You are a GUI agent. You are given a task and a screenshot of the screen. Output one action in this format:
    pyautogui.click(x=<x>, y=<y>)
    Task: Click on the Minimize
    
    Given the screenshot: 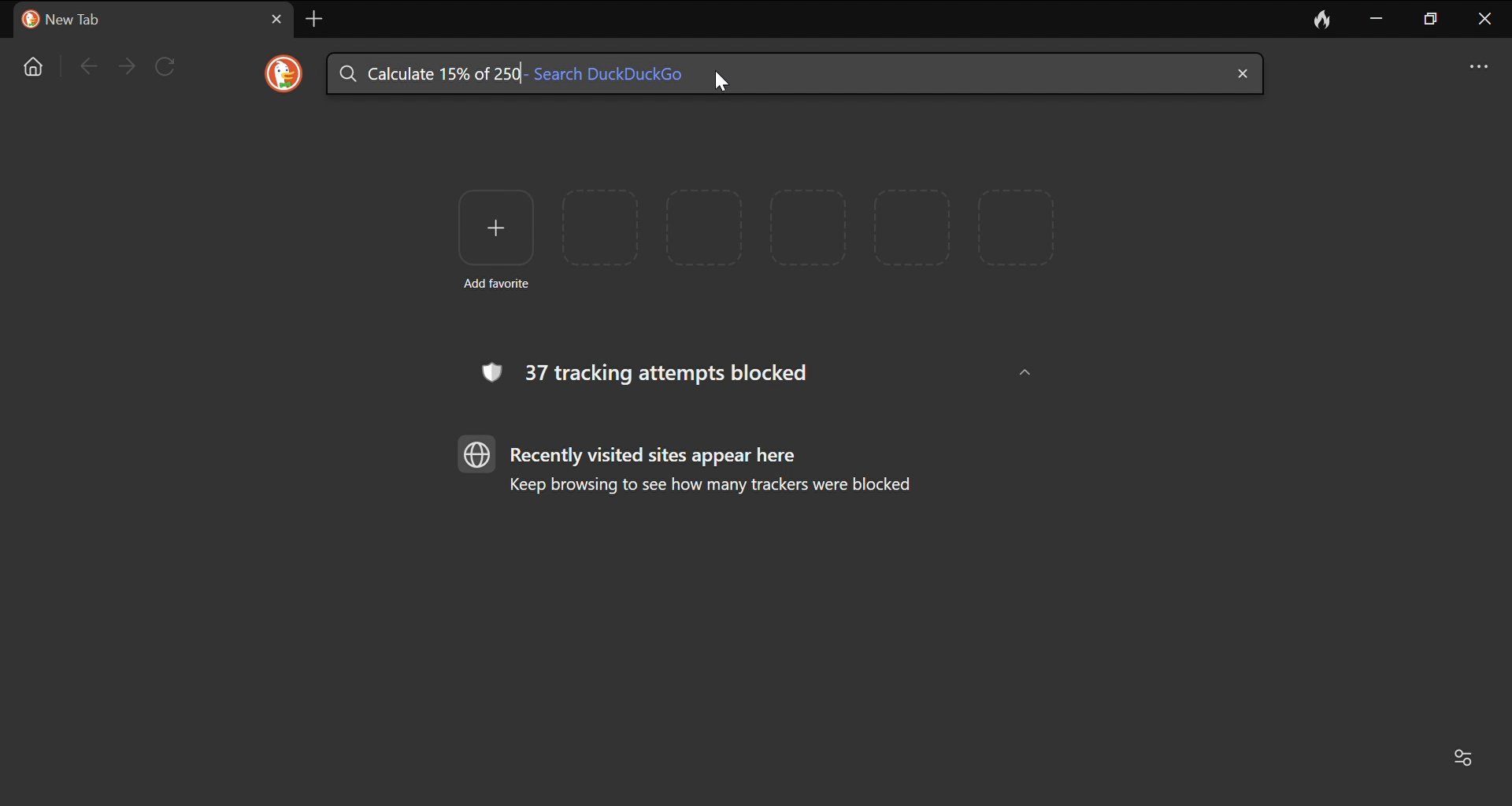 What is the action you would take?
    pyautogui.click(x=1377, y=17)
    